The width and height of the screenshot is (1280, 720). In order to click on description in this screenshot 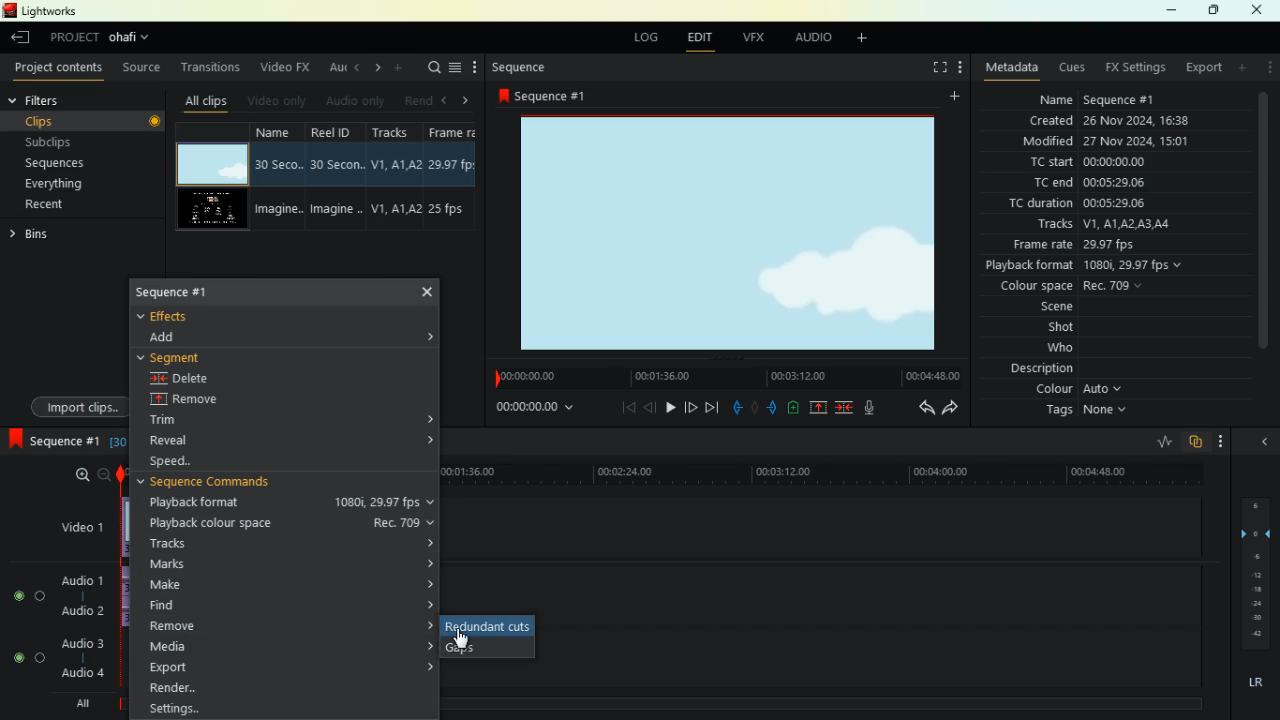, I will do `click(1041, 370)`.